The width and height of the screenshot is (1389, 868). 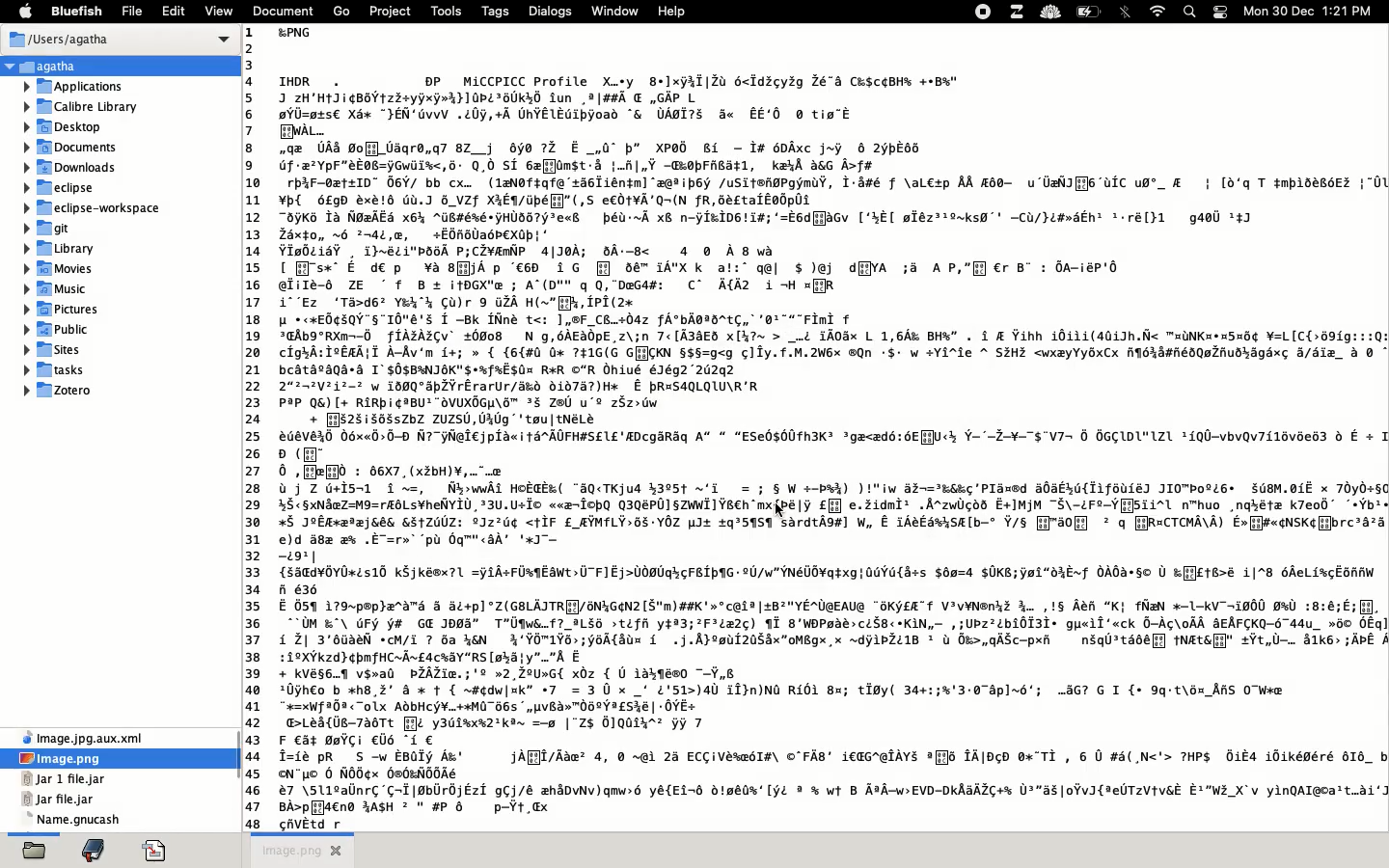 I want to click on music, so click(x=56, y=287).